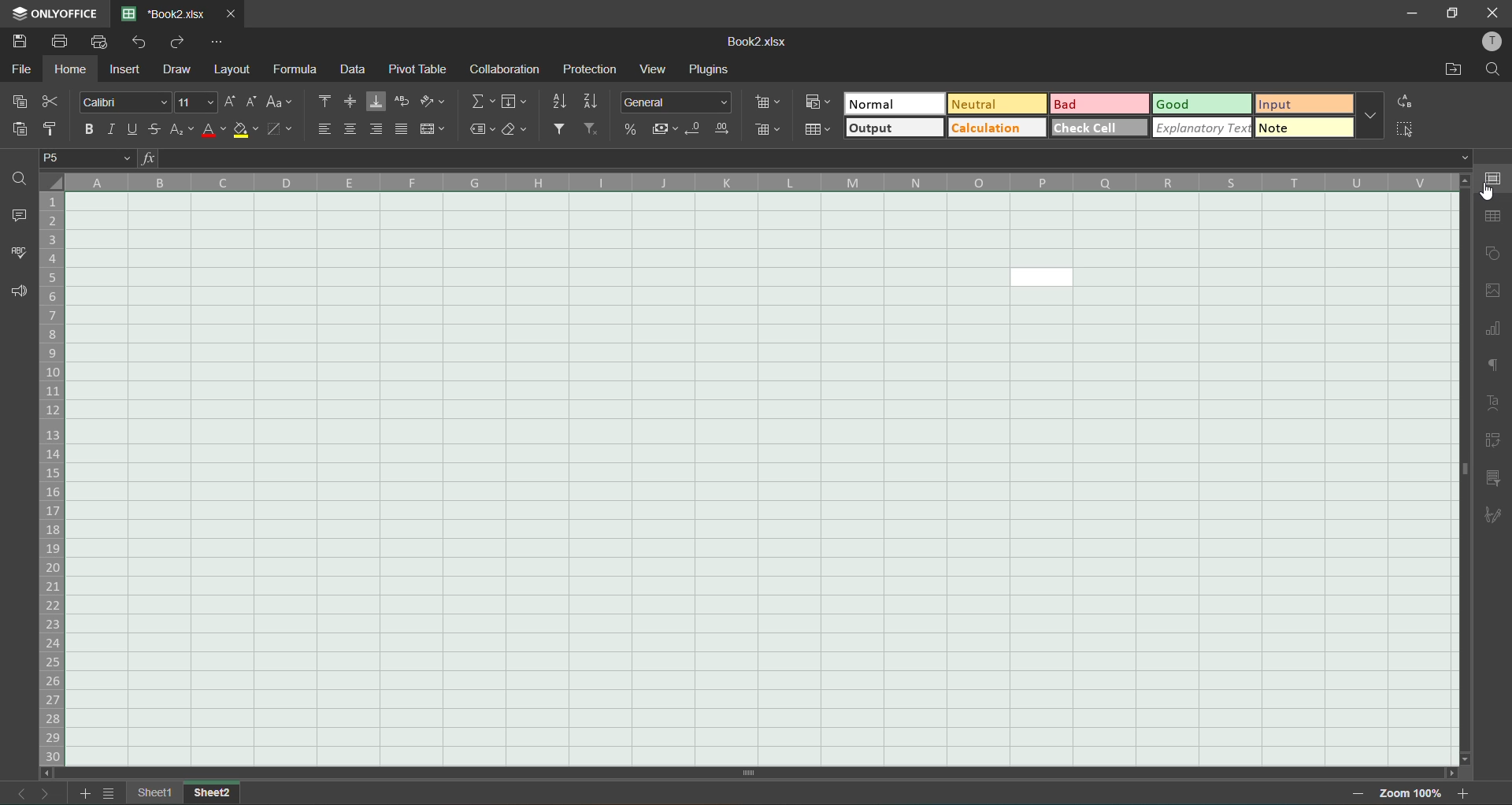 The width and height of the screenshot is (1512, 805). What do you see at coordinates (502, 69) in the screenshot?
I see `collaboration` at bounding box center [502, 69].